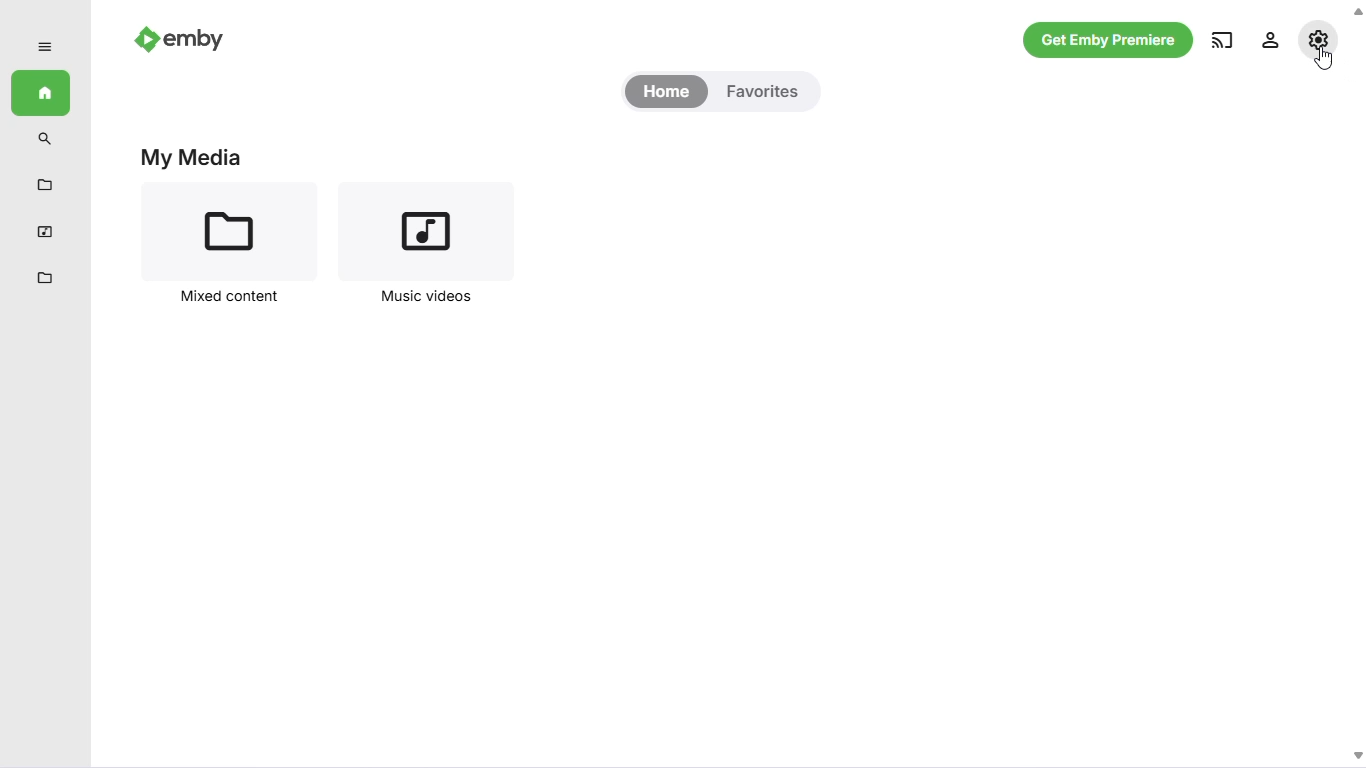  What do you see at coordinates (765, 92) in the screenshot?
I see `favorites` at bounding box center [765, 92].